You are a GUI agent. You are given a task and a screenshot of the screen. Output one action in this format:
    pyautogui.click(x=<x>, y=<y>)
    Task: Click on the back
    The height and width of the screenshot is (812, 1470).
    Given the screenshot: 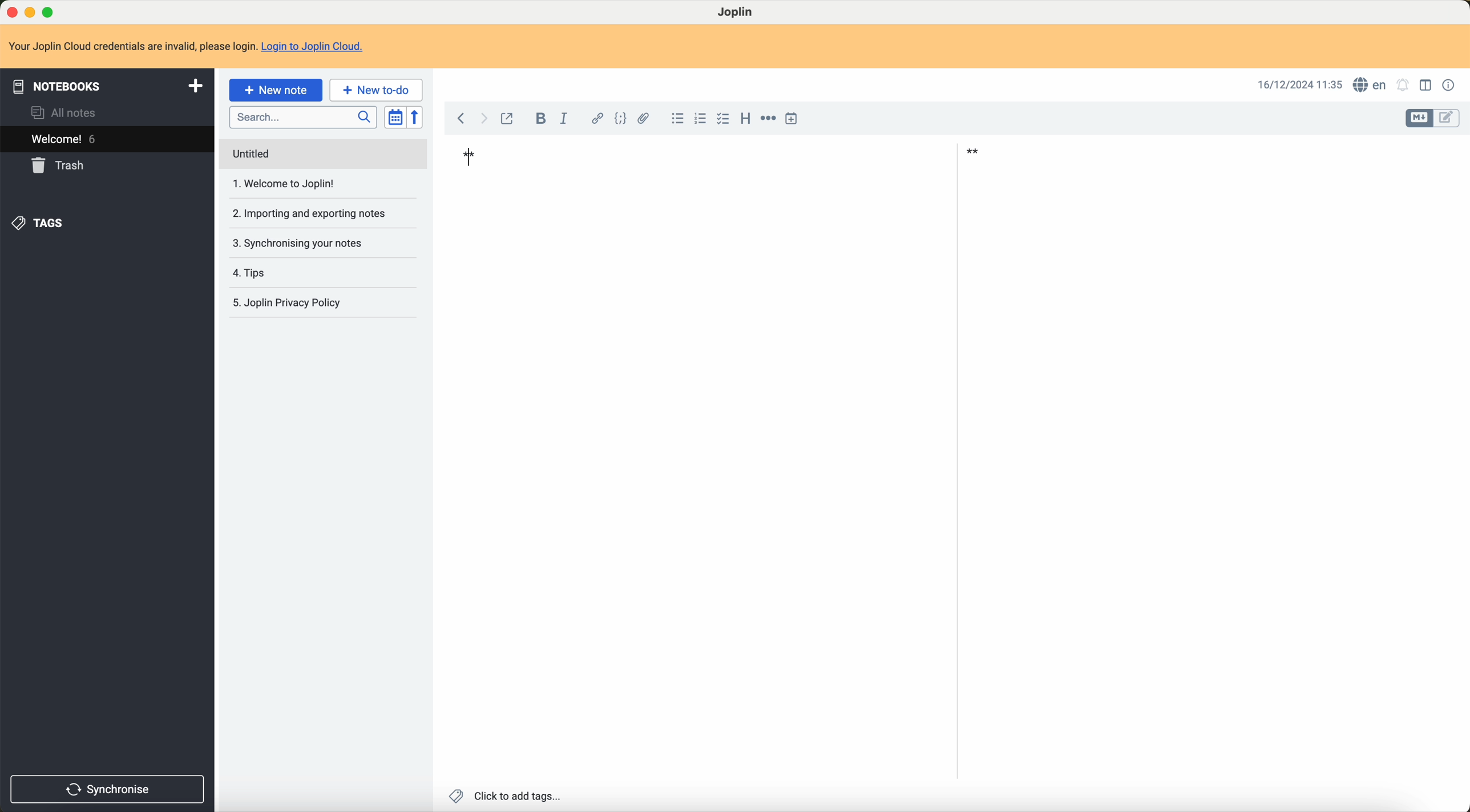 What is the action you would take?
    pyautogui.click(x=461, y=119)
    